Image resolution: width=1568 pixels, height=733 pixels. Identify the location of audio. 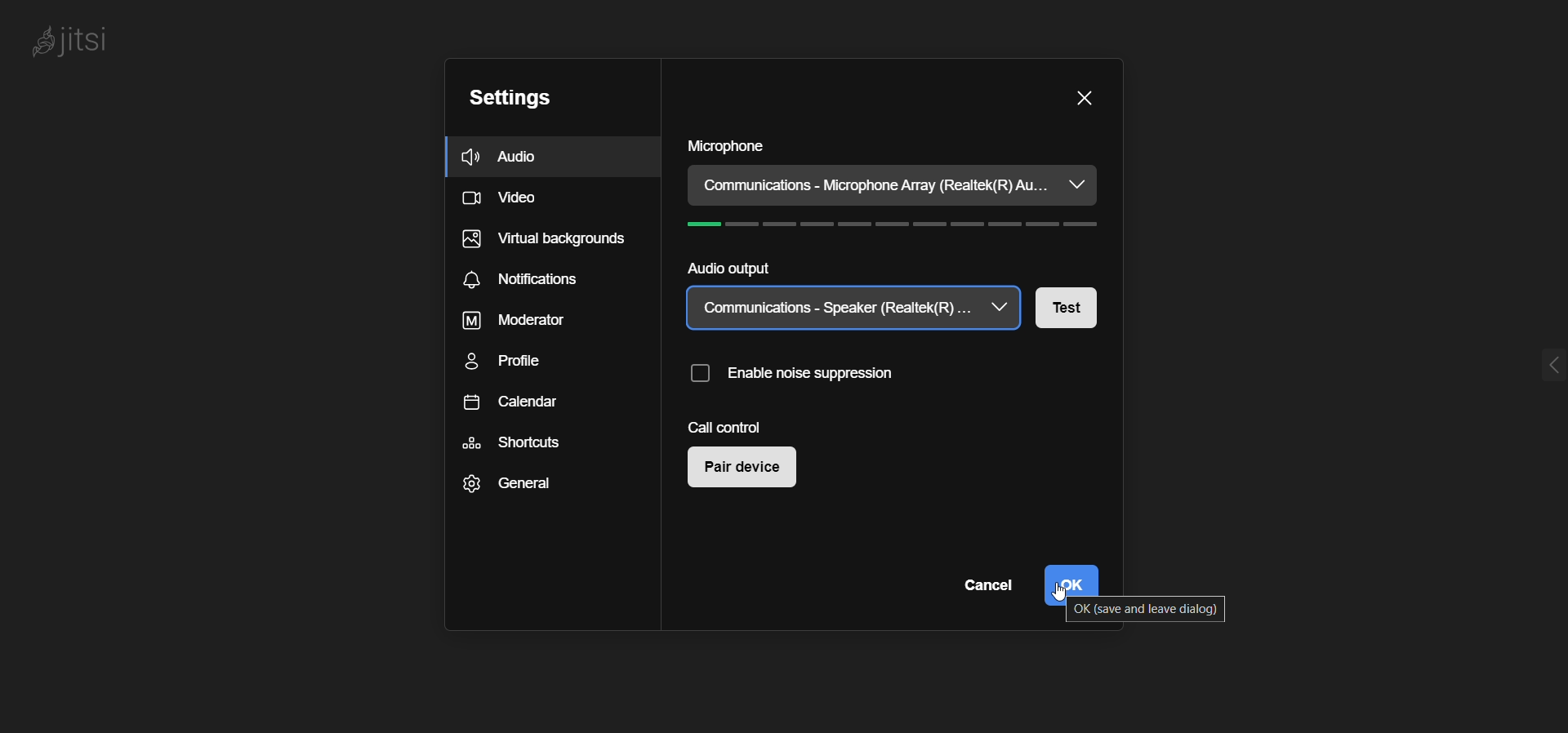
(506, 157).